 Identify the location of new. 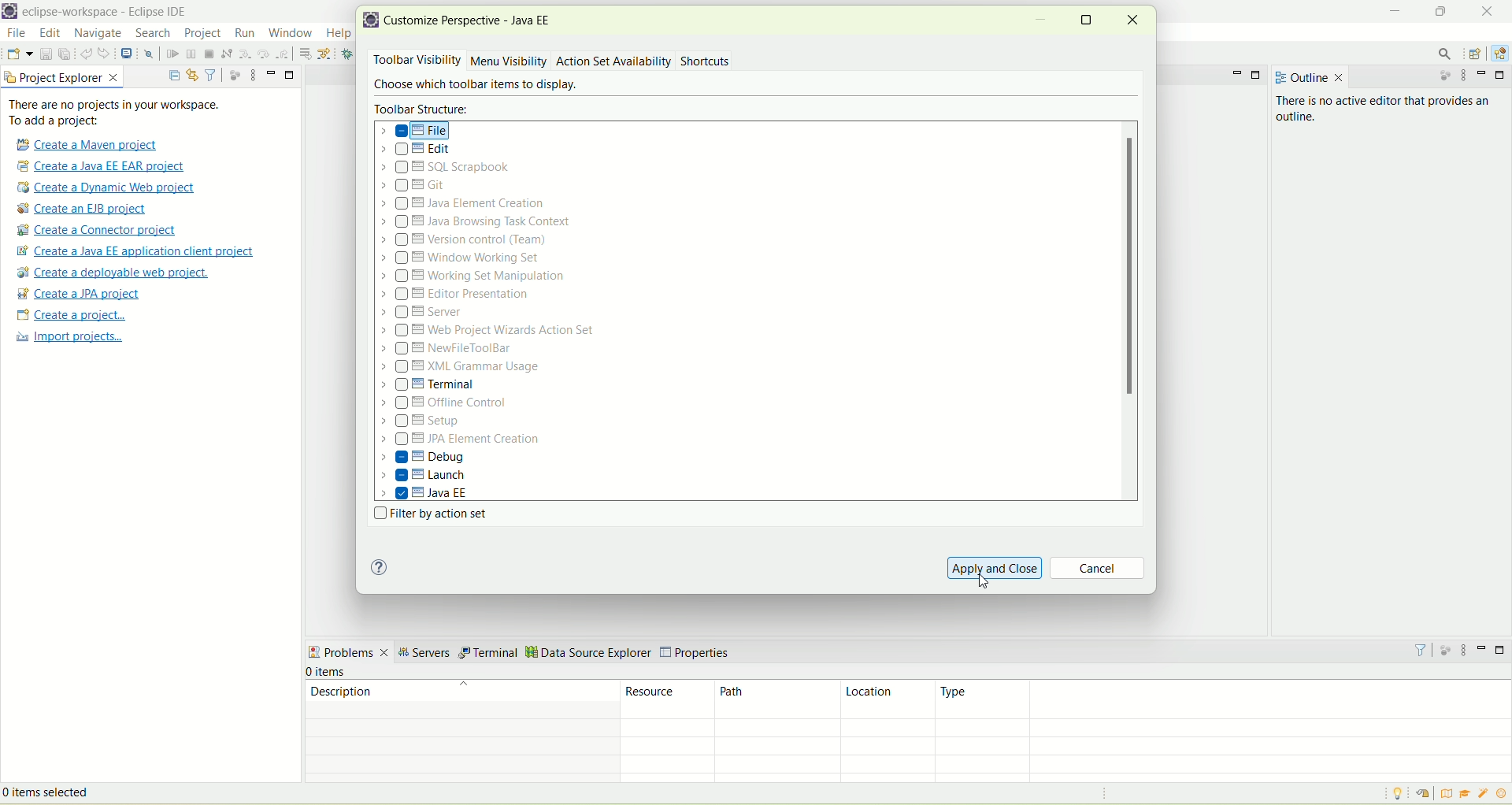
(19, 53).